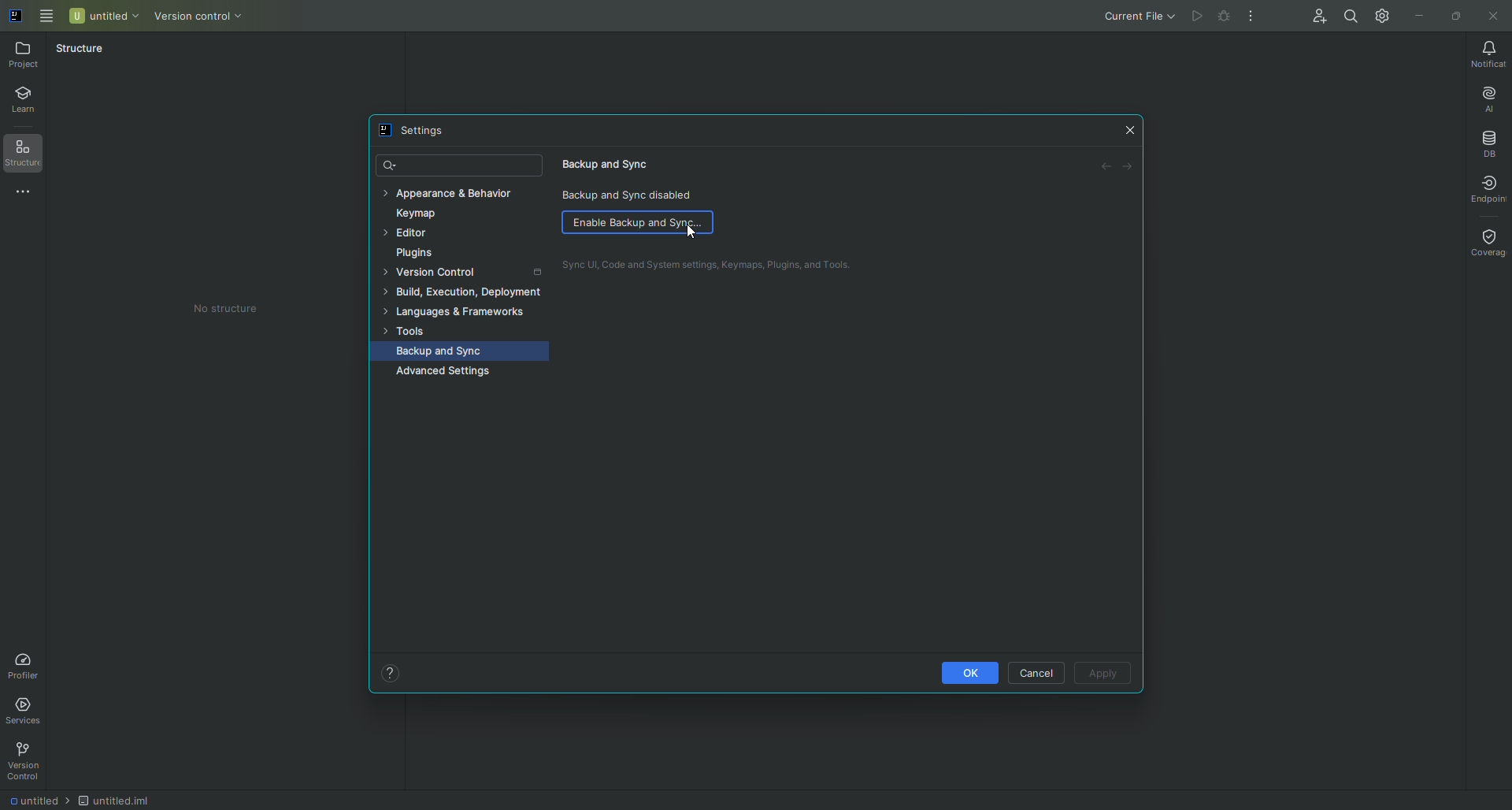 The width and height of the screenshot is (1512, 810). What do you see at coordinates (1315, 19) in the screenshot?
I see `Code With Me` at bounding box center [1315, 19].